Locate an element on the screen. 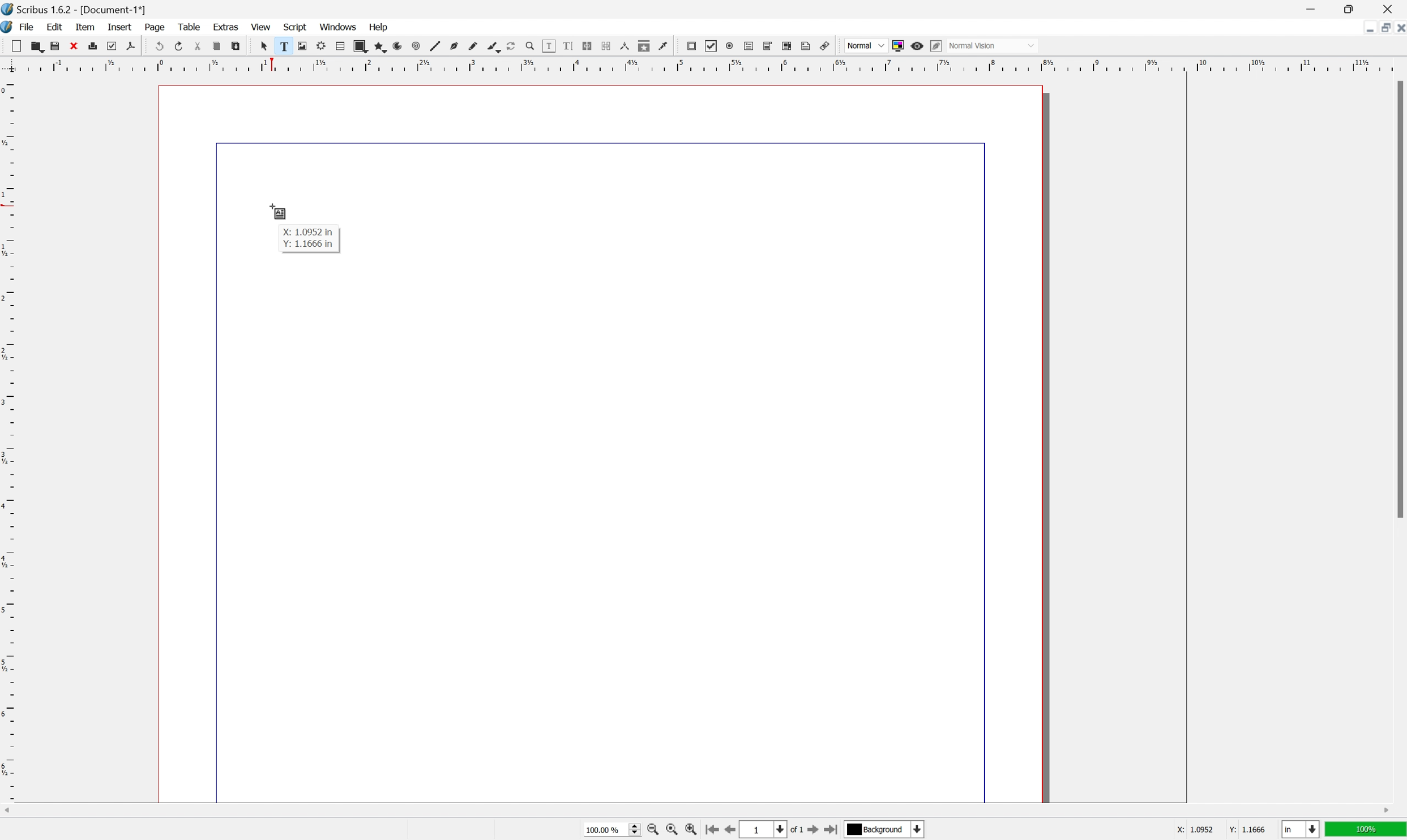  ruler is located at coordinates (9, 438).